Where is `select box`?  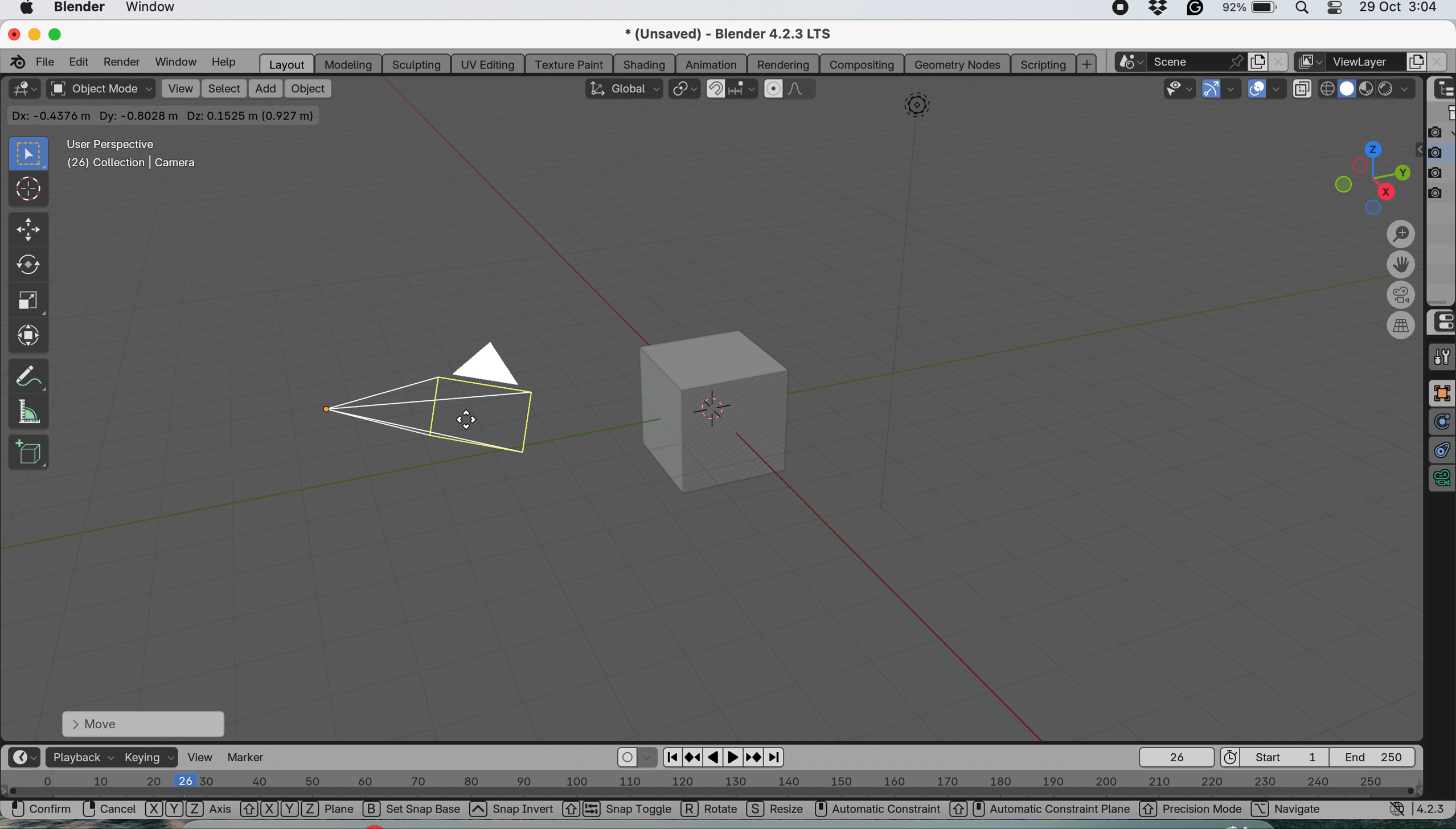 select box is located at coordinates (26, 154).